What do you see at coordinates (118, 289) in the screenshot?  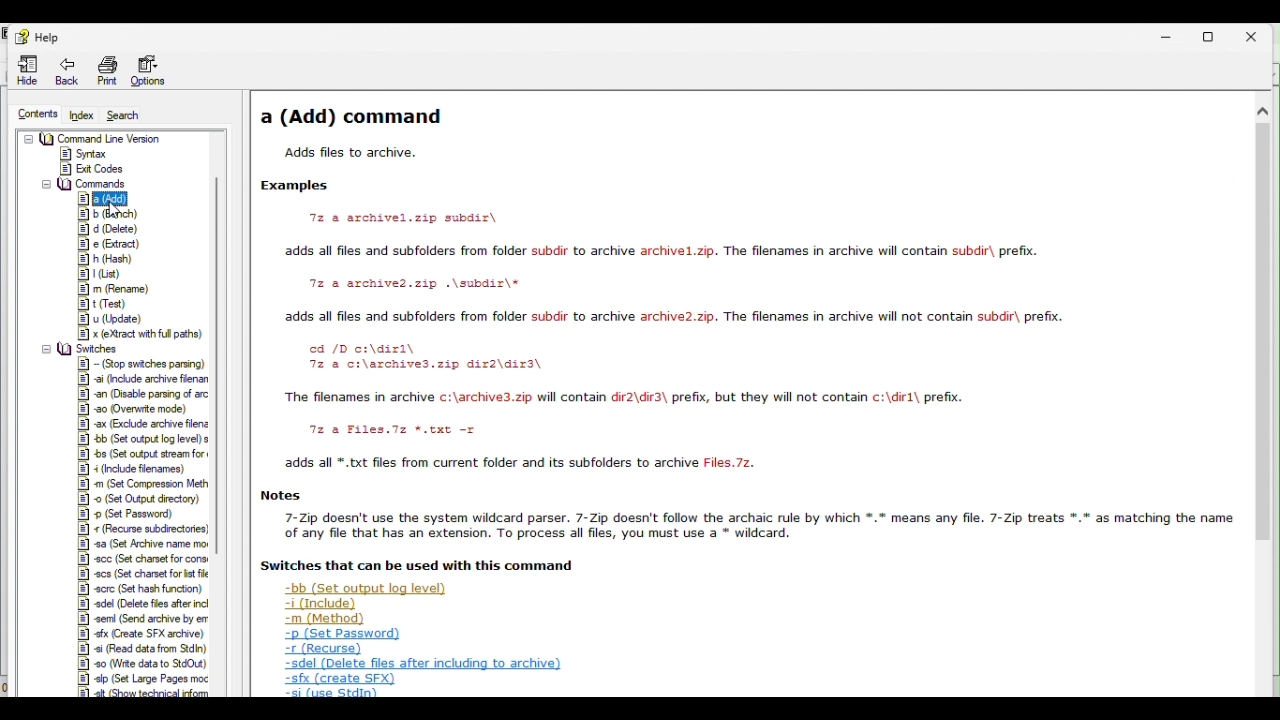 I see `m` at bounding box center [118, 289].